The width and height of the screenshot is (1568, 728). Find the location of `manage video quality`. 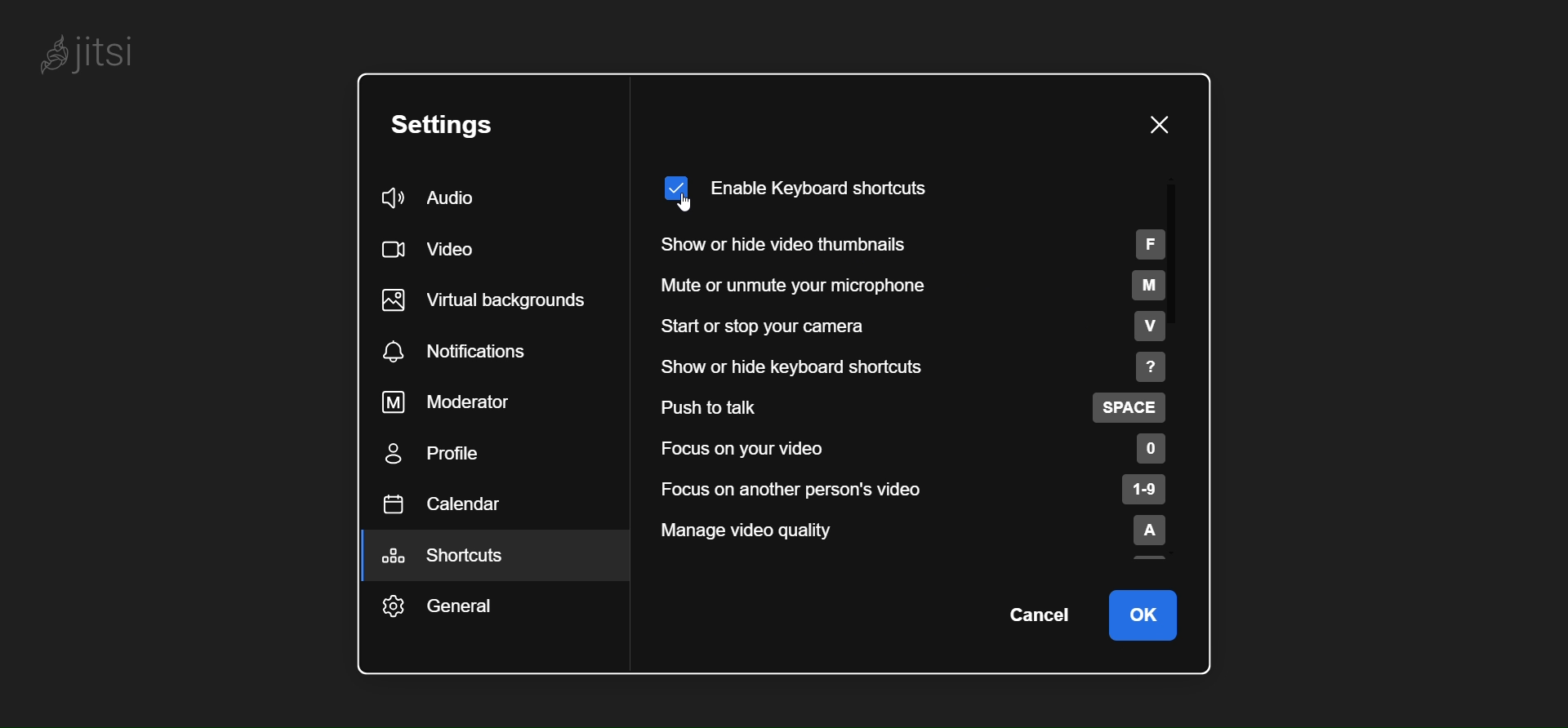

manage video quality is located at coordinates (920, 532).